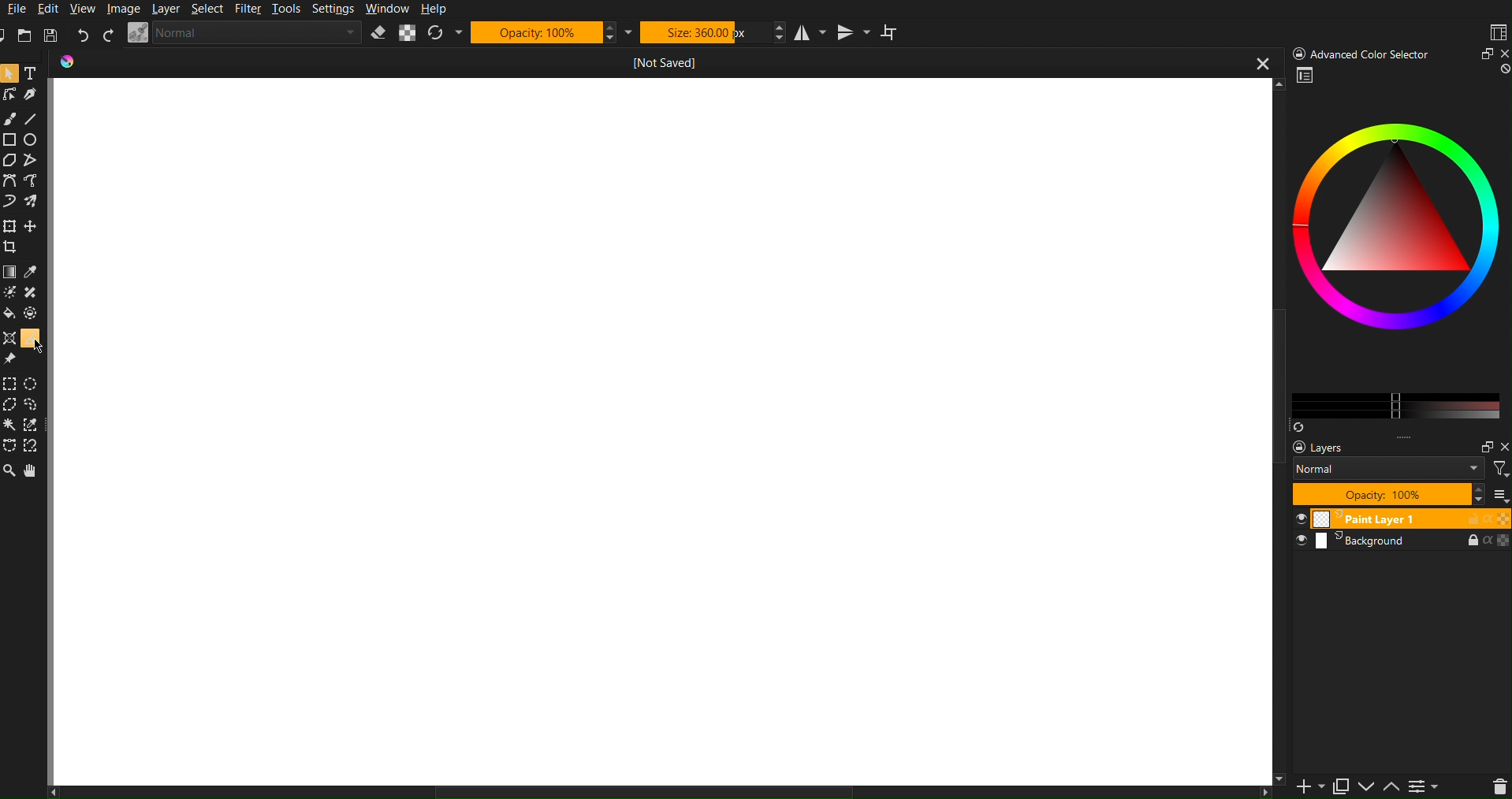  Describe the element at coordinates (32, 72) in the screenshot. I see `Text` at that location.